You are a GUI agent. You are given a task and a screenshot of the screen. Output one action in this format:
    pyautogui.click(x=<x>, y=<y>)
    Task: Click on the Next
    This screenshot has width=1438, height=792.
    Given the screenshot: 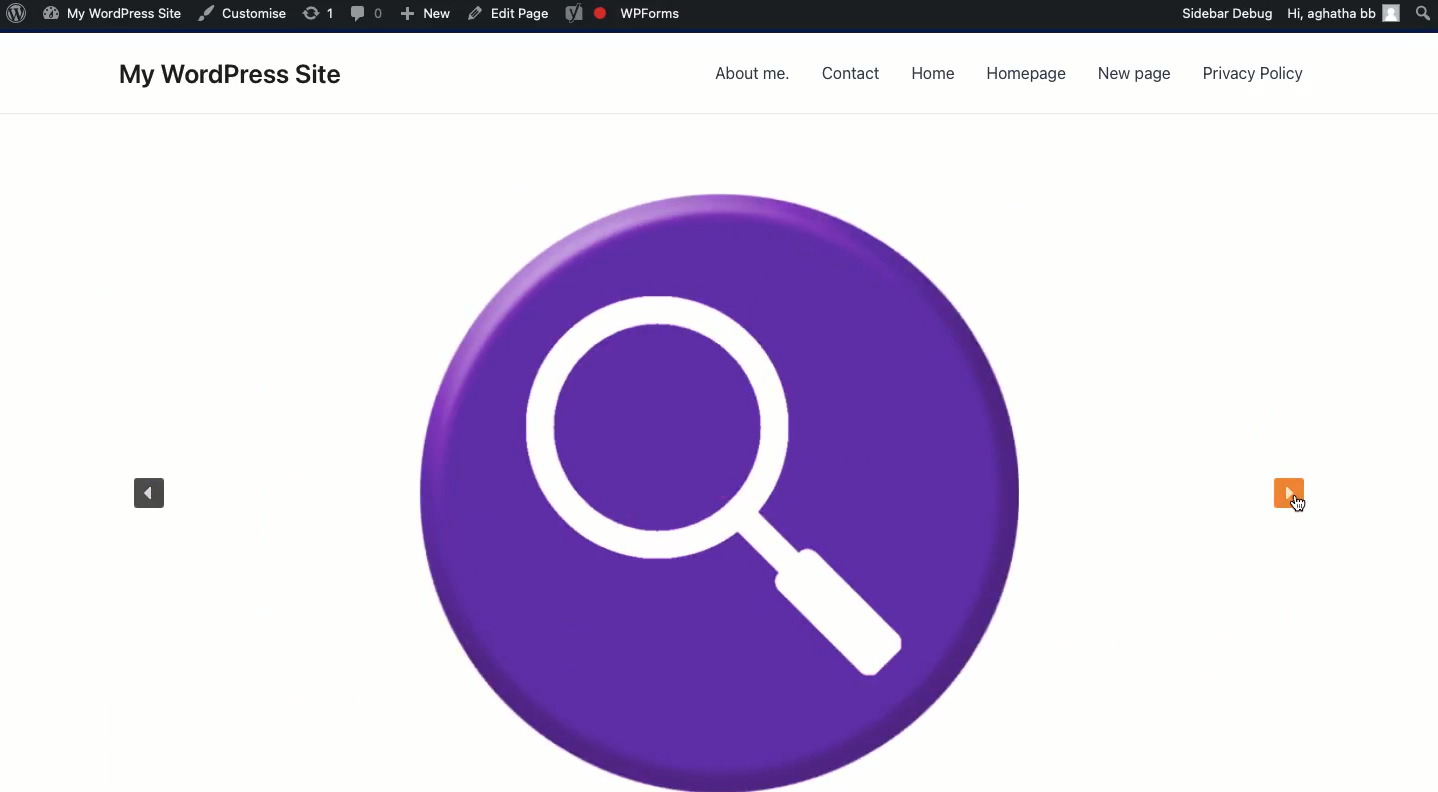 What is the action you would take?
    pyautogui.click(x=1291, y=496)
    